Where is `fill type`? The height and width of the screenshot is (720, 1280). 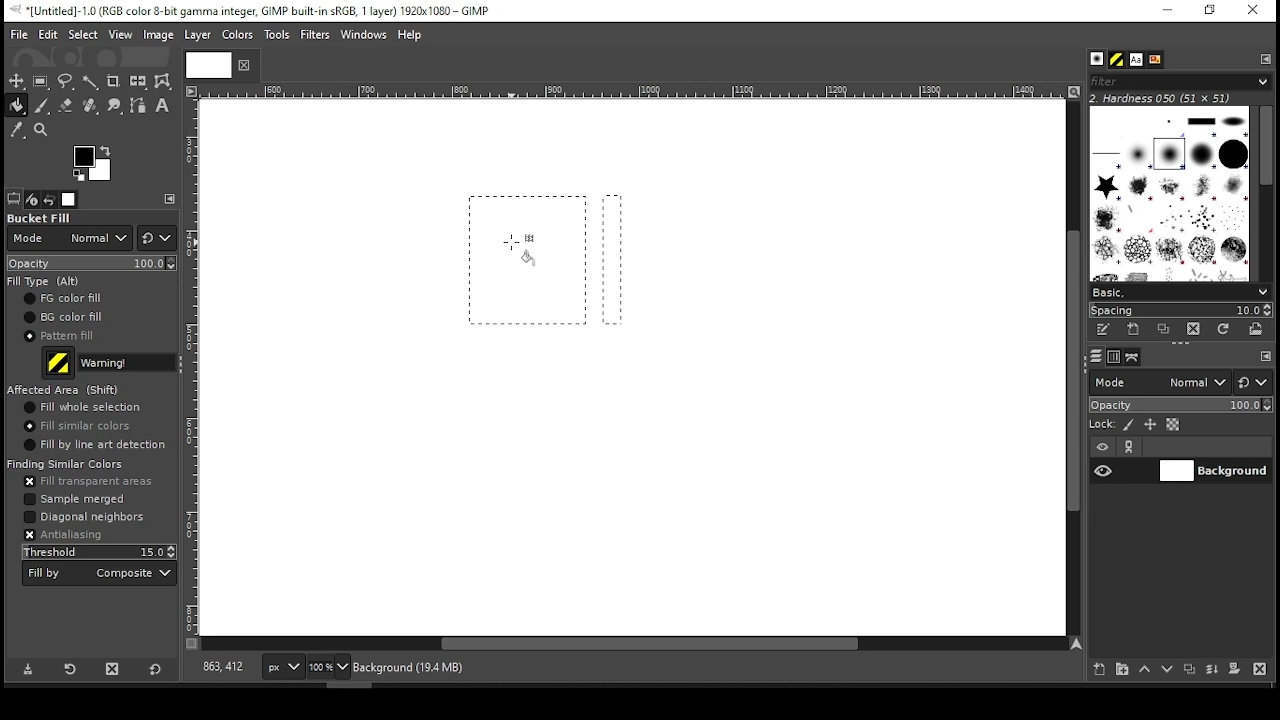 fill type is located at coordinates (128, 362).